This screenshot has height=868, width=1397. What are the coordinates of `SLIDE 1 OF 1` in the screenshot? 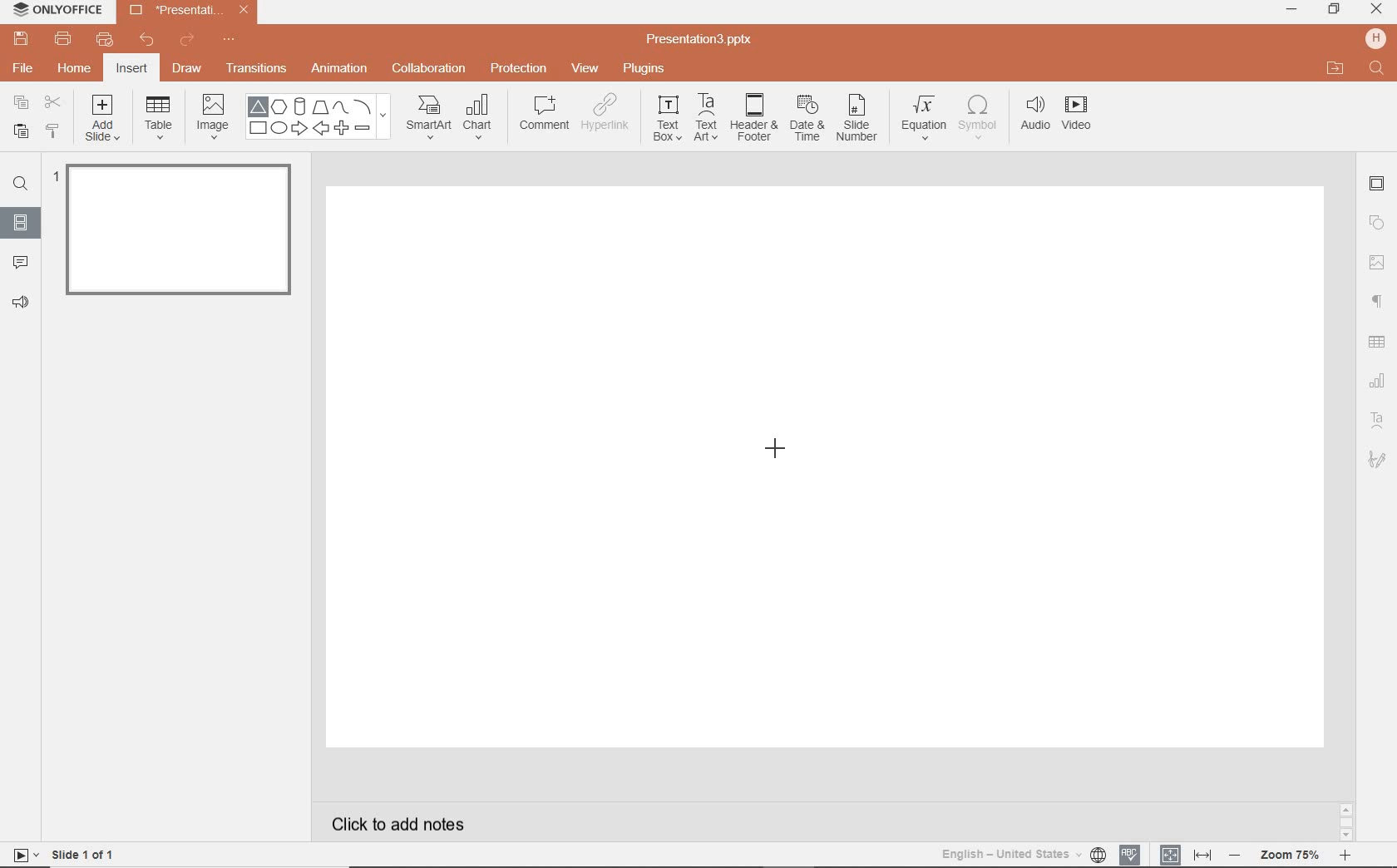 It's located at (86, 853).